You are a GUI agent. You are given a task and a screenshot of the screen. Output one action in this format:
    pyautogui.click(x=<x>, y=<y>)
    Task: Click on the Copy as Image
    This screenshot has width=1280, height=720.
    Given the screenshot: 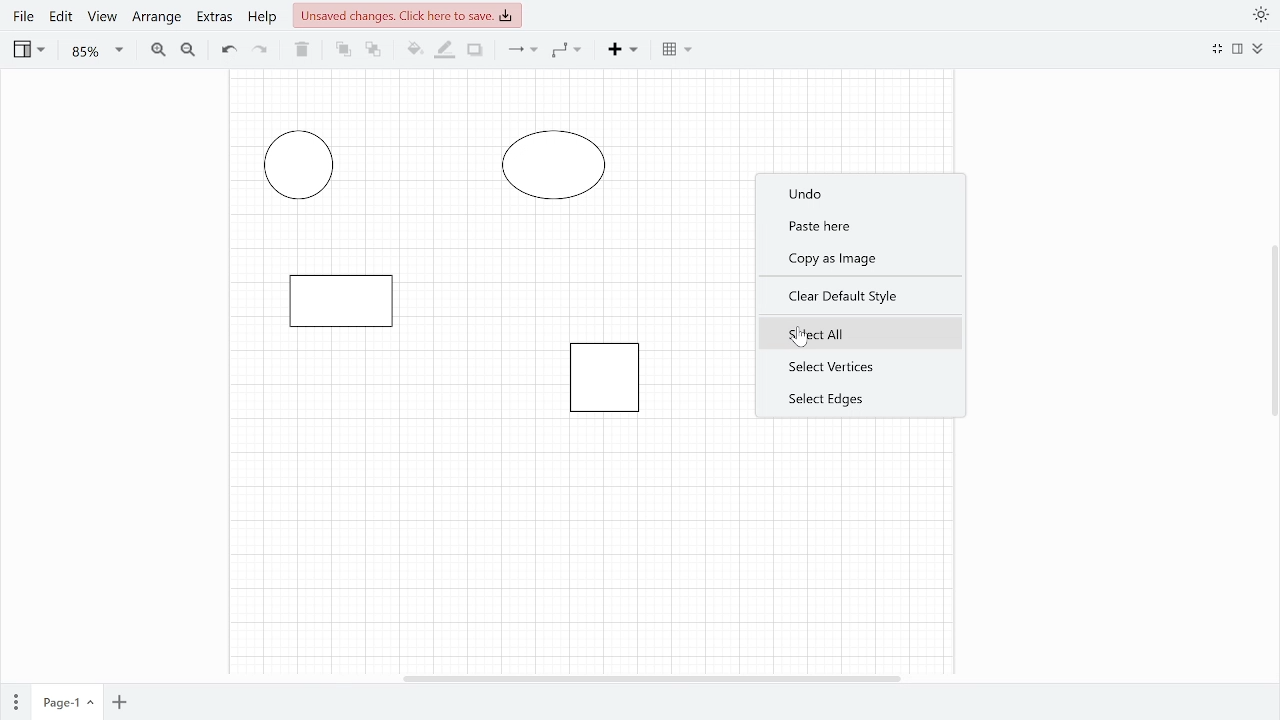 What is the action you would take?
    pyautogui.click(x=858, y=259)
    